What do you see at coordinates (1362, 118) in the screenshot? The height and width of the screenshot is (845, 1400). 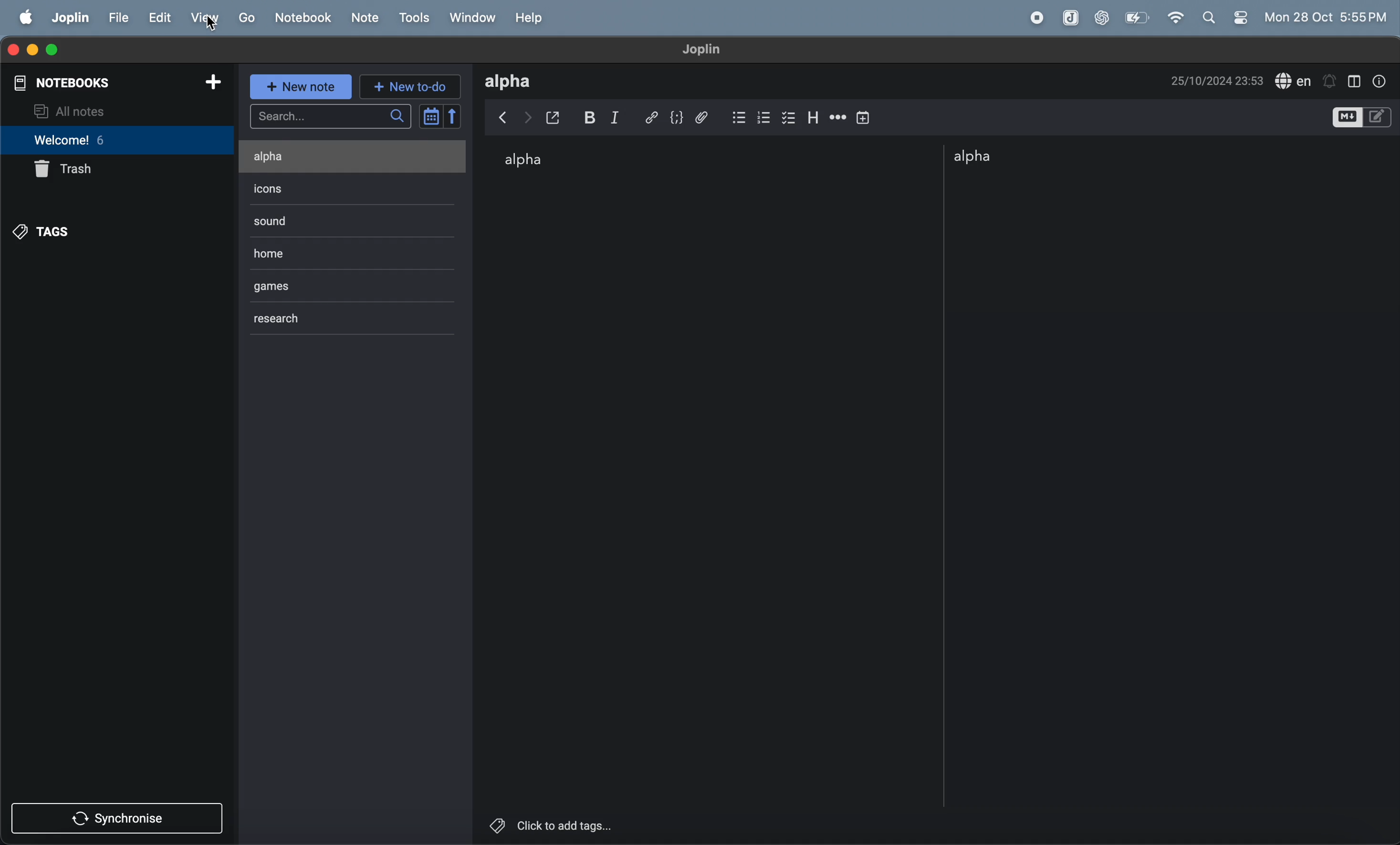 I see `toggle editor` at bounding box center [1362, 118].